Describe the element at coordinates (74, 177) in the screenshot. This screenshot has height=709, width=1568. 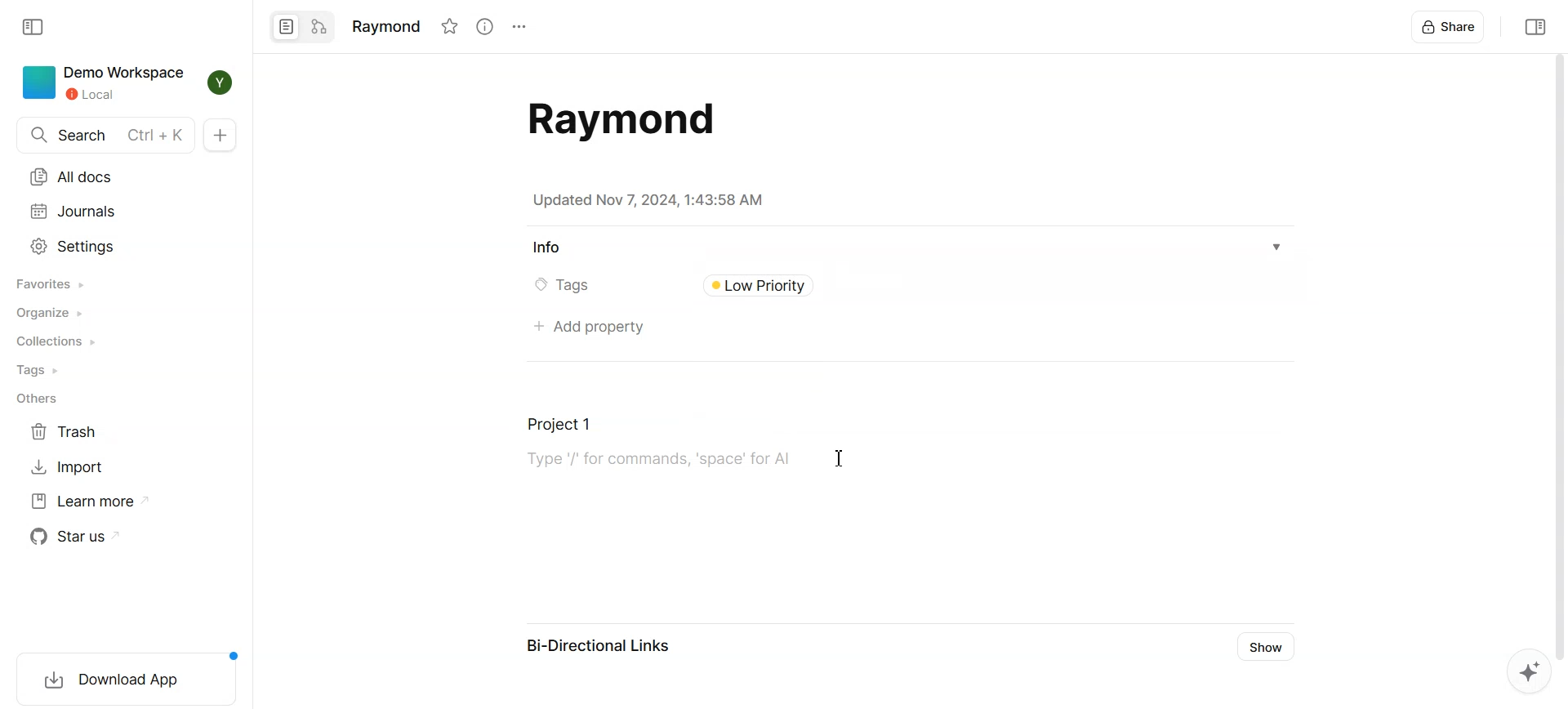
I see `All docs` at that location.